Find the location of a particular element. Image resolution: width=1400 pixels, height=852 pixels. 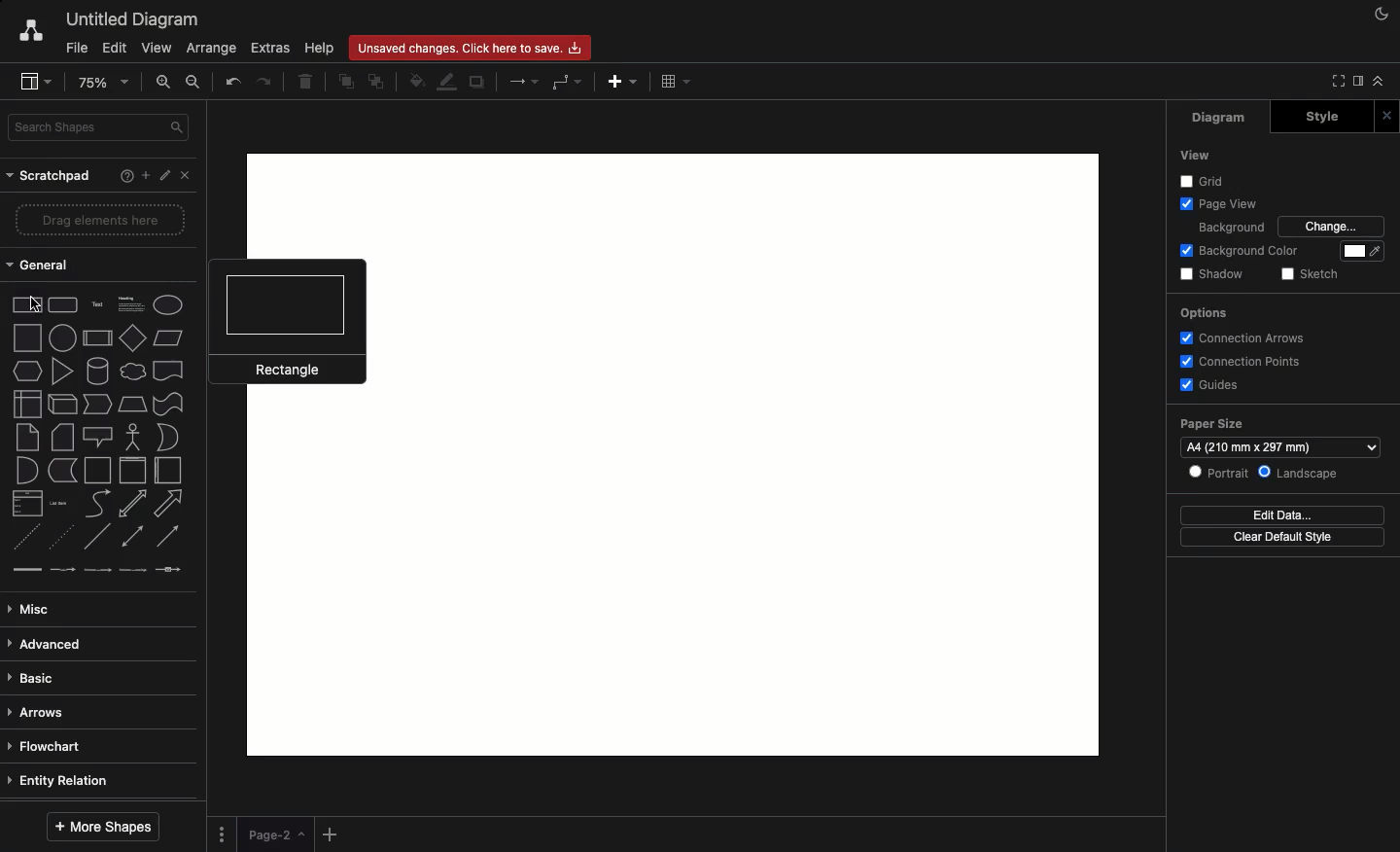

link is located at coordinates (24, 569).